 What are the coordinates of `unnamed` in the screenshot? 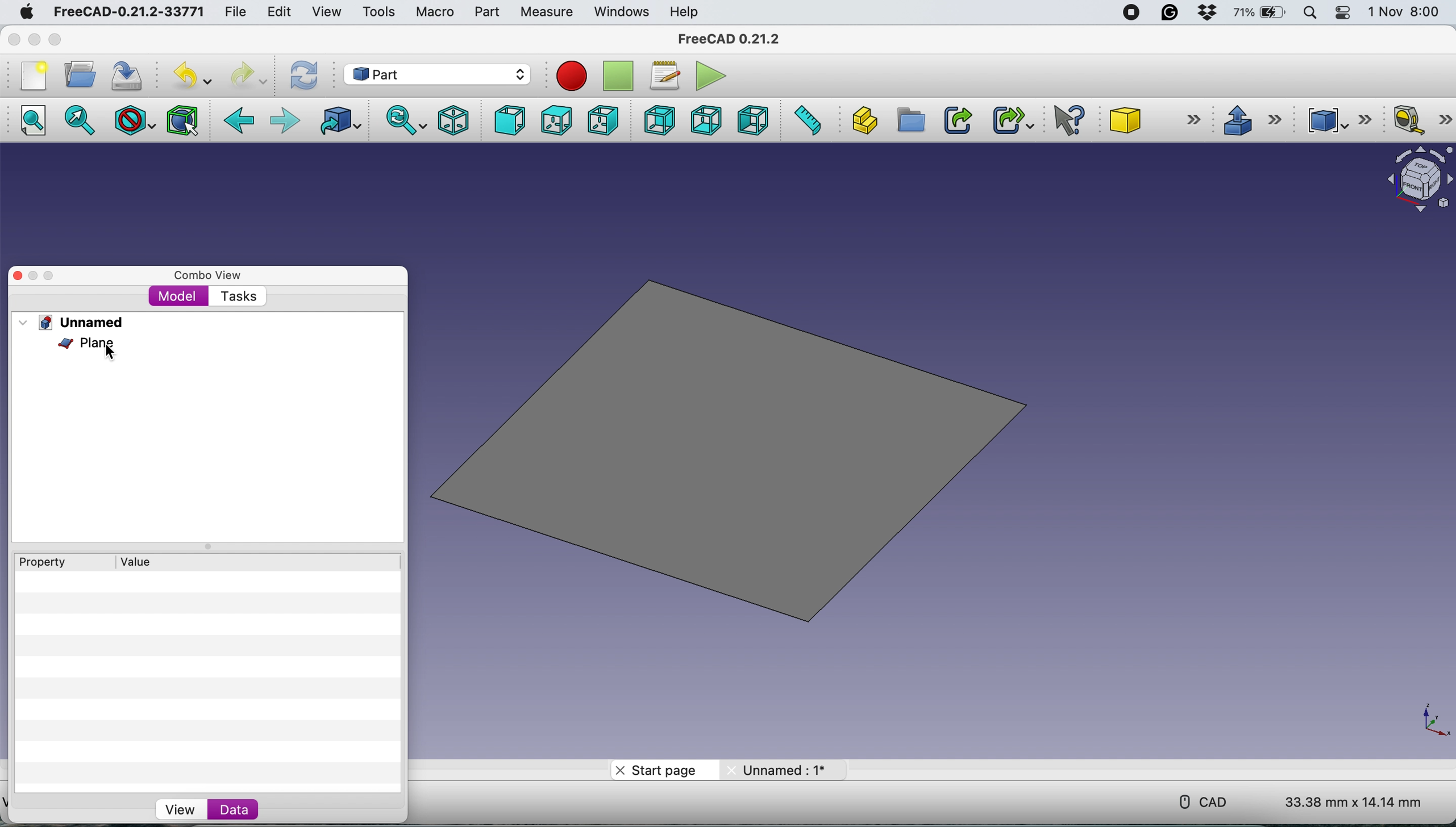 It's located at (781, 770).